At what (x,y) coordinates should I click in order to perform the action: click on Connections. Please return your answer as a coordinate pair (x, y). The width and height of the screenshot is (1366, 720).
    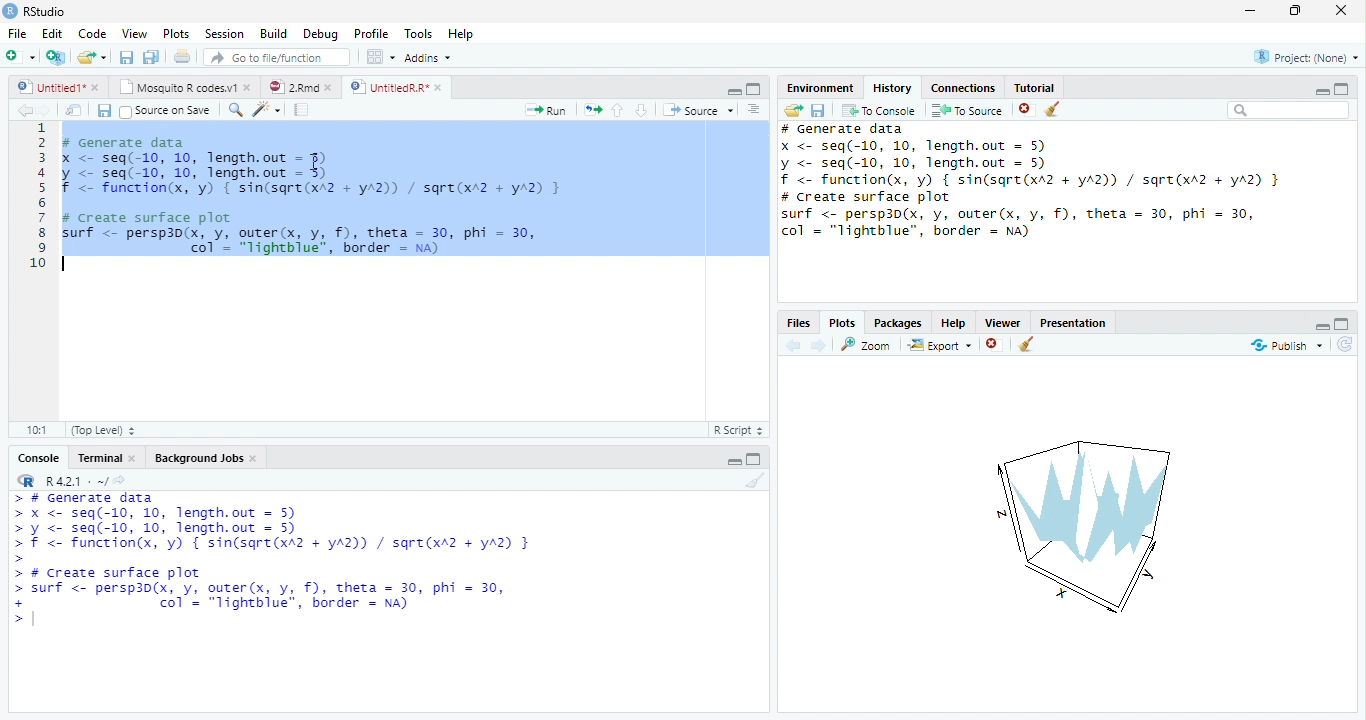
    Looking at the image, I should click on (963, 87).